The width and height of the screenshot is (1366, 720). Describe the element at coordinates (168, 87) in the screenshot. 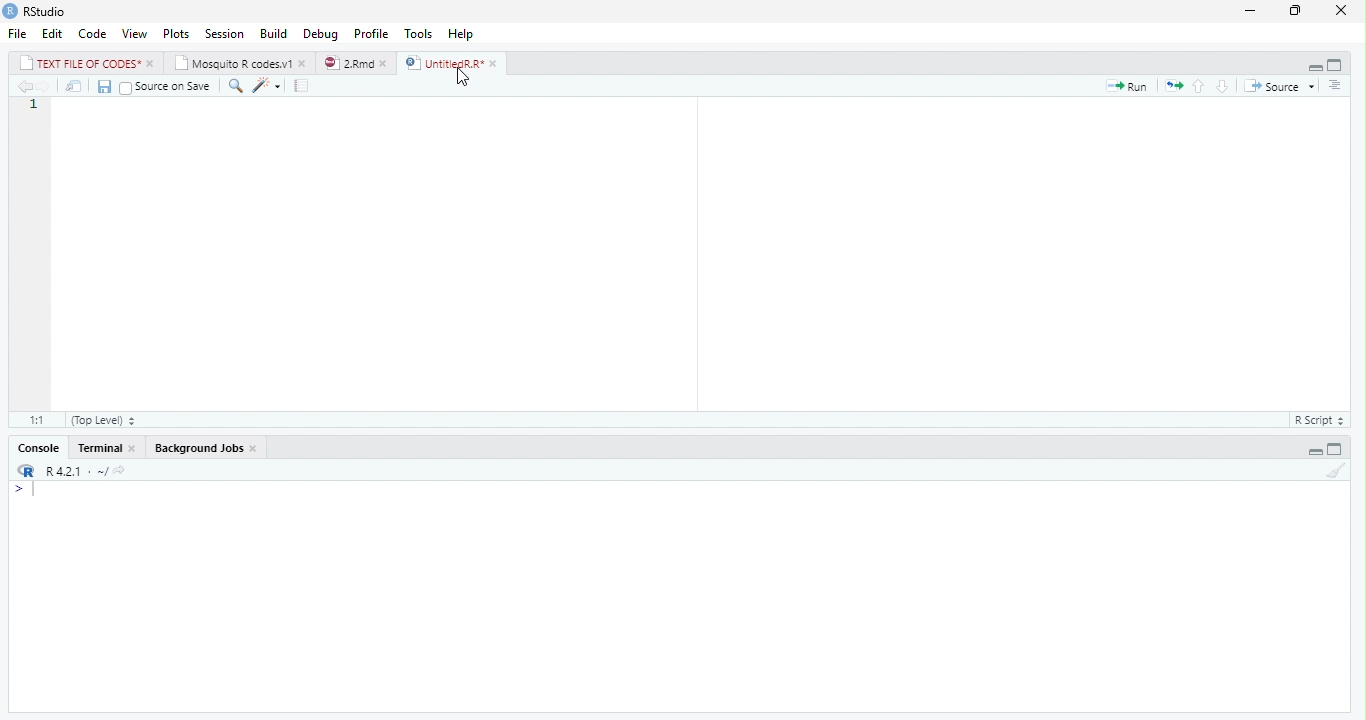

I see `Source on Save` at that location.